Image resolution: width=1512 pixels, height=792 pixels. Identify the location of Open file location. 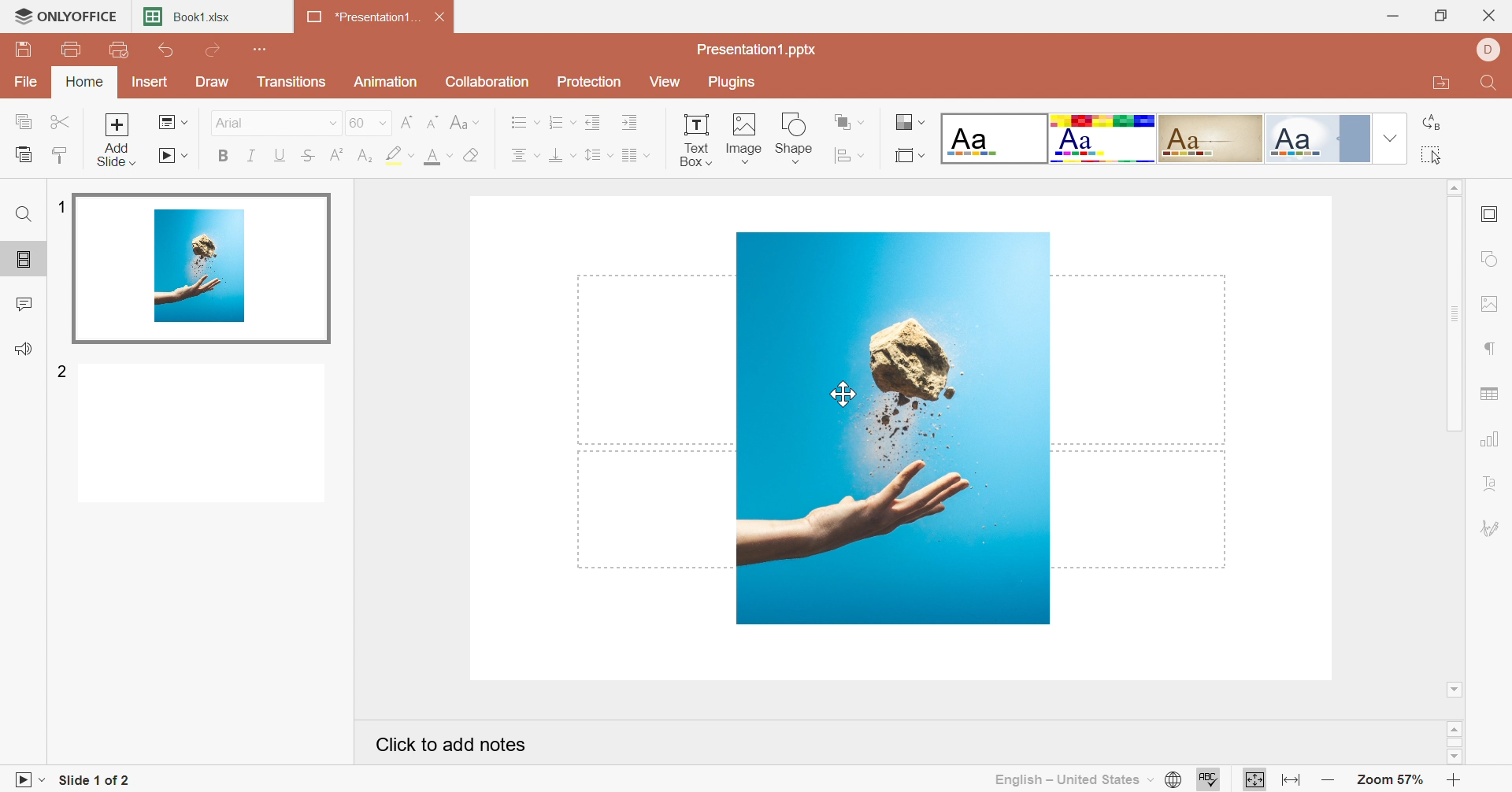
(1440, 86).